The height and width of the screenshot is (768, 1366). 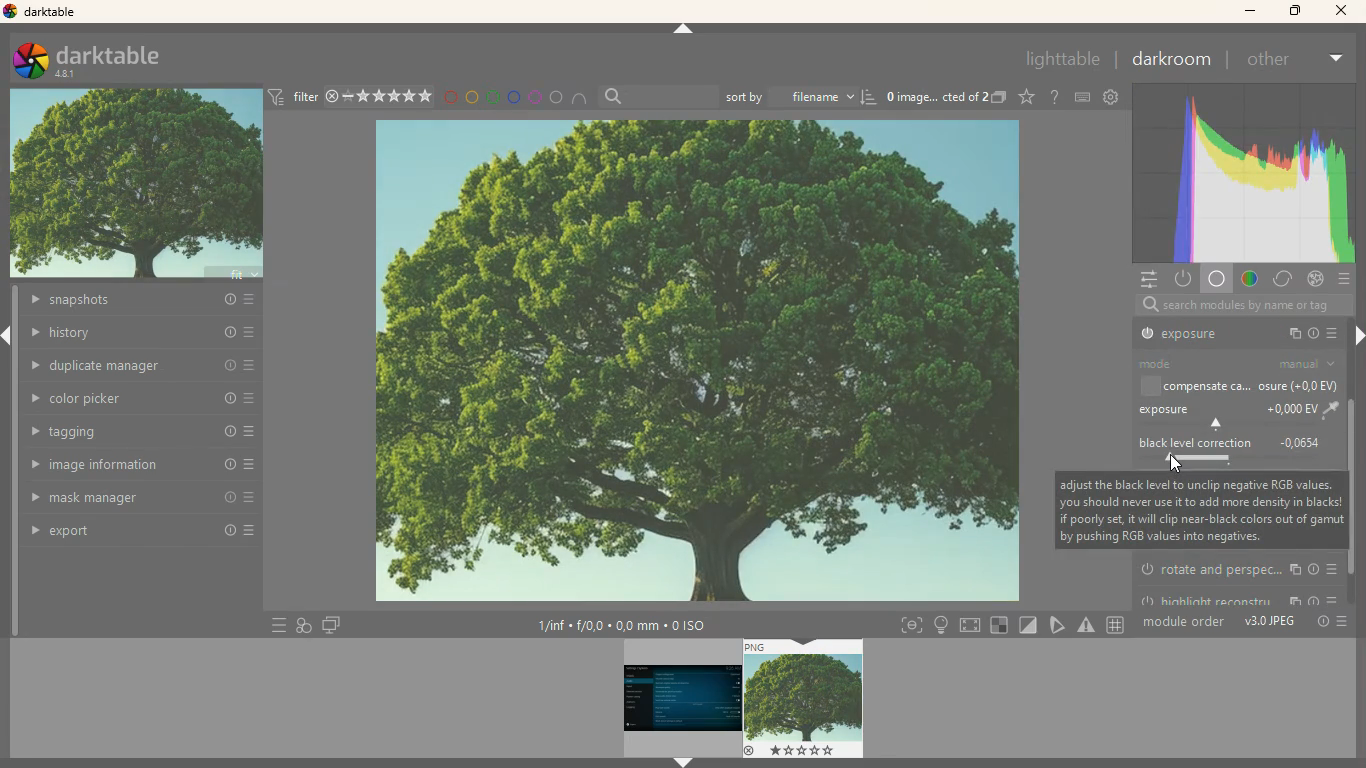 I want to click on export, so click(x=137, y=533).